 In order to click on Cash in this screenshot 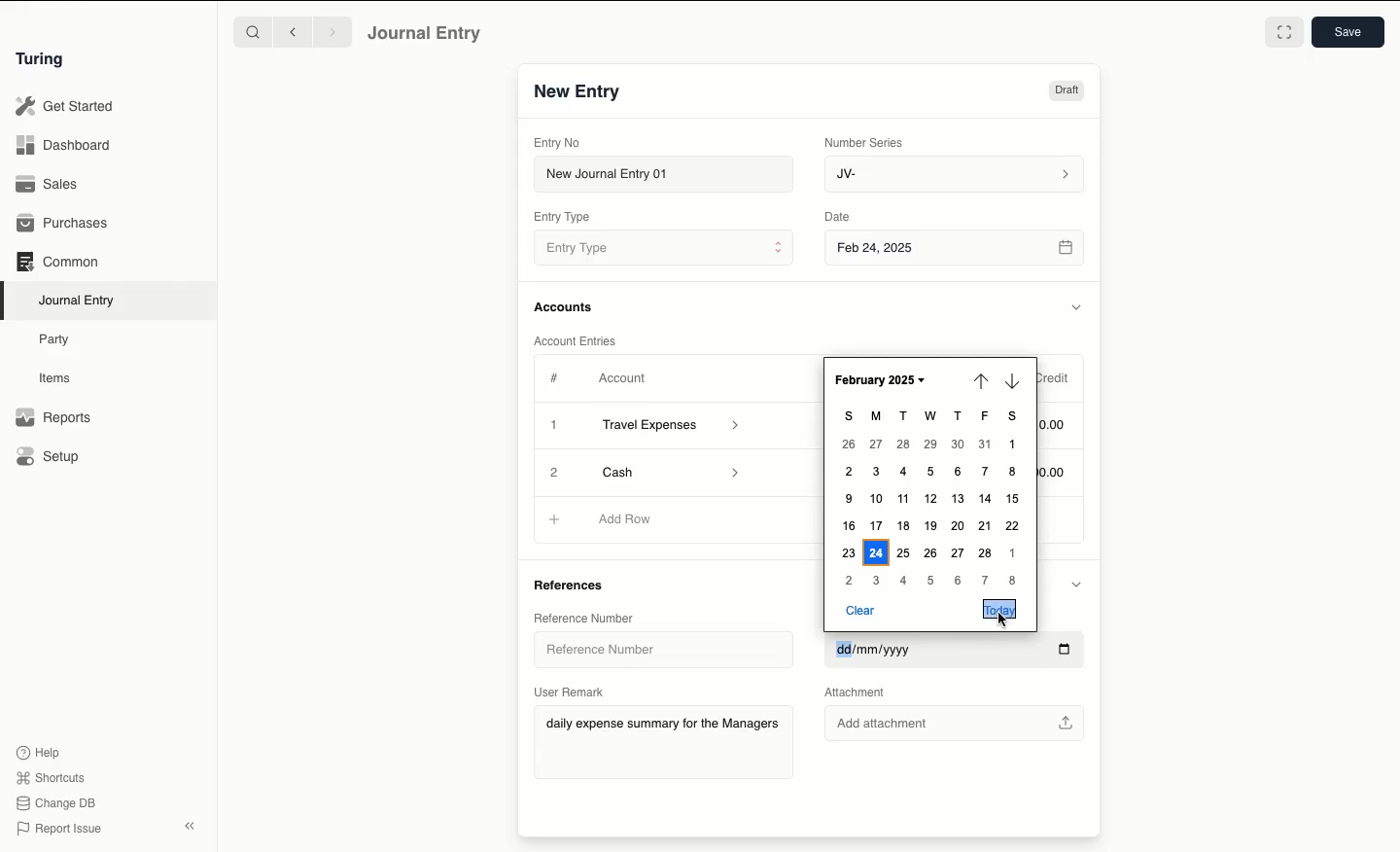, I will do `click(666, 471)`.